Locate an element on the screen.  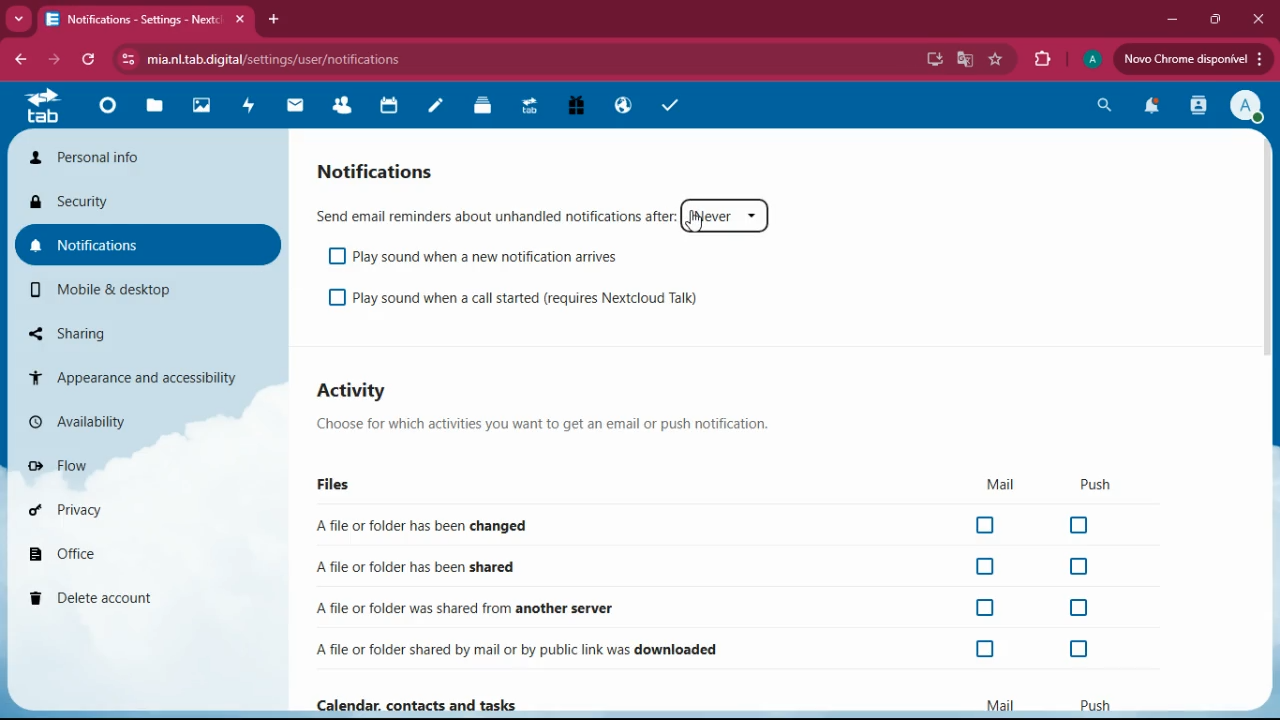
changed is located at coordinates (438, 525).